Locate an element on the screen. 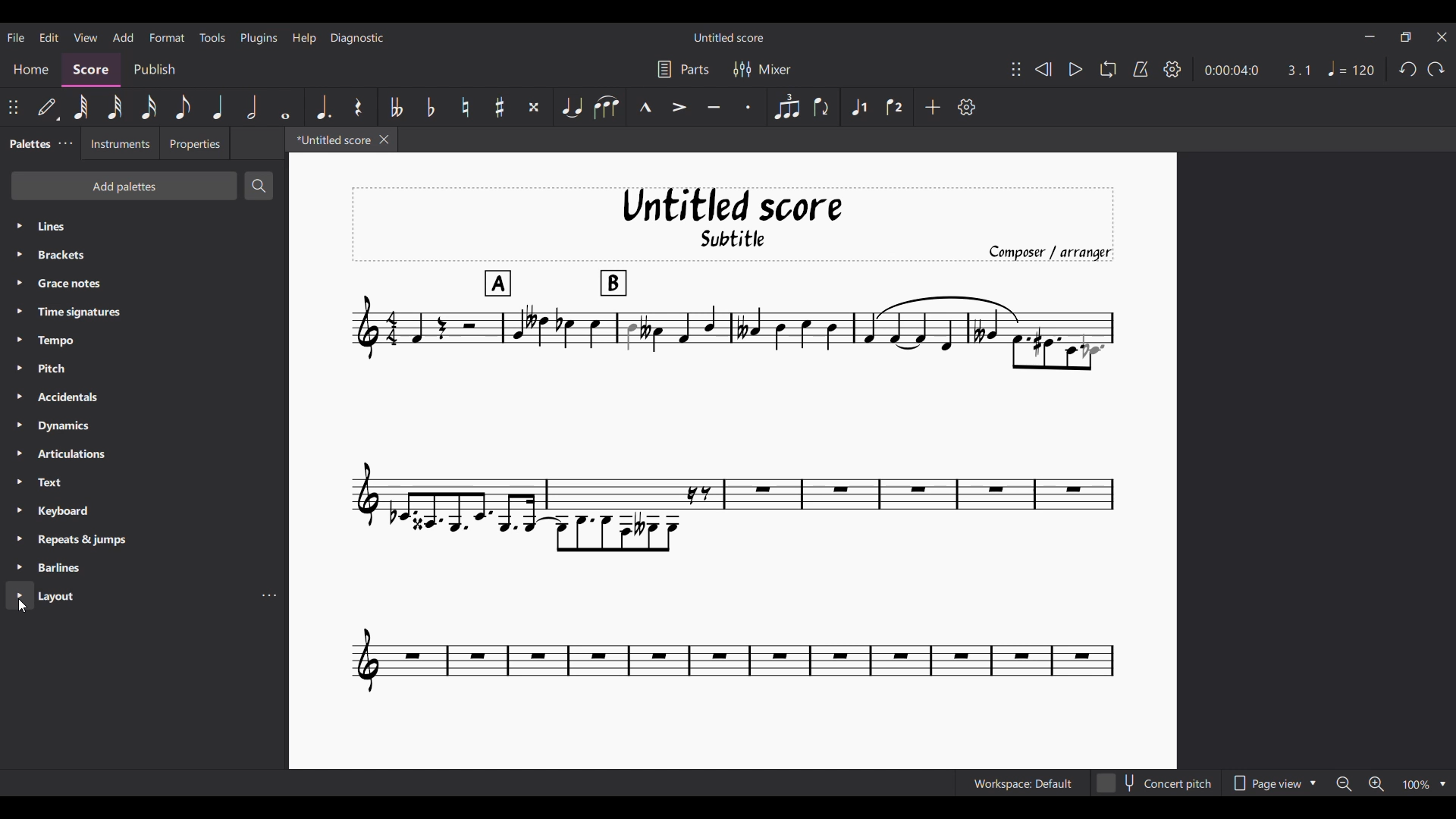  Publish section is located at coordinates (154, 70).